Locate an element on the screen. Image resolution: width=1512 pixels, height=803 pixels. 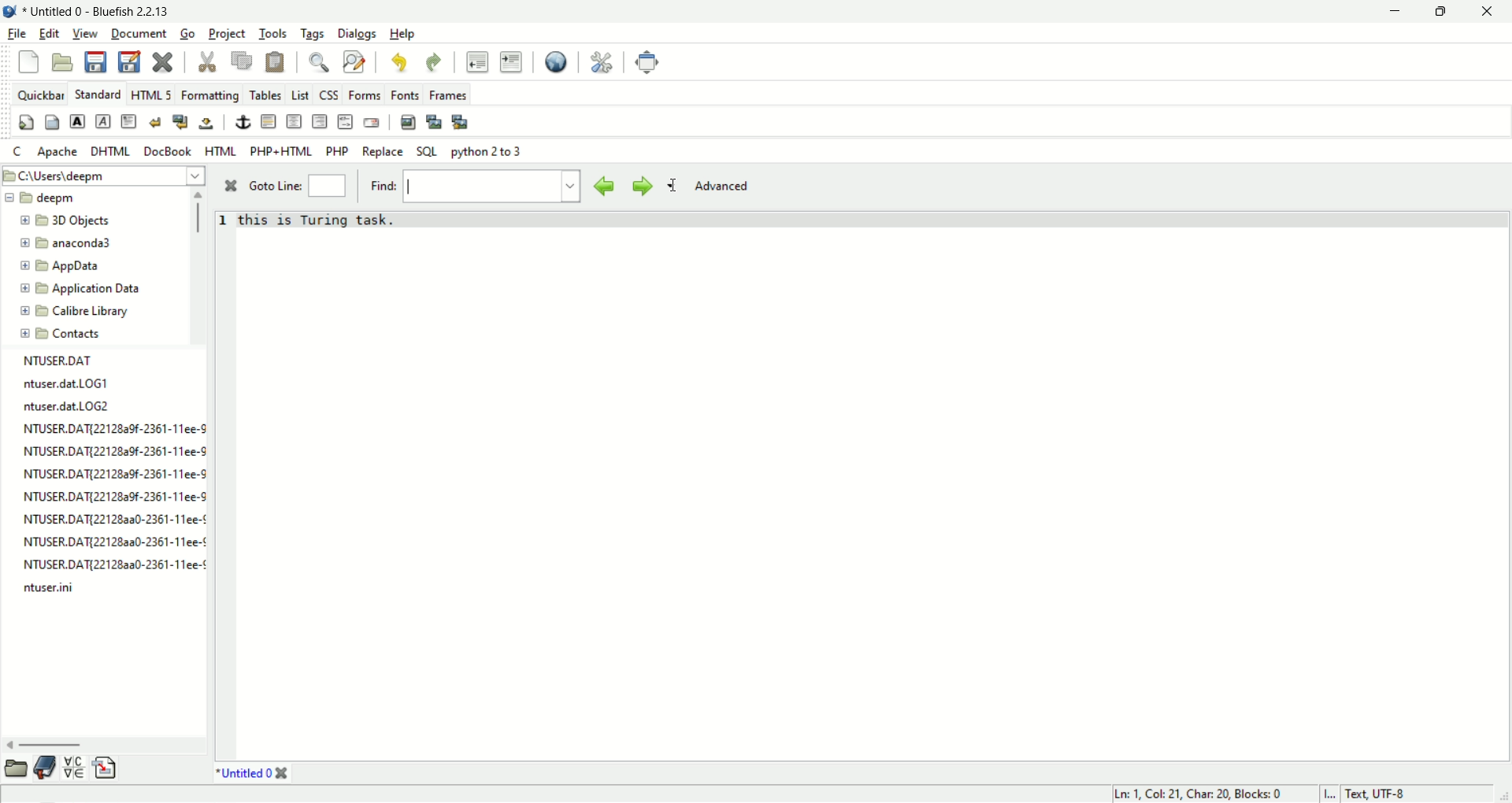
save is located at coordinates (94, 61).